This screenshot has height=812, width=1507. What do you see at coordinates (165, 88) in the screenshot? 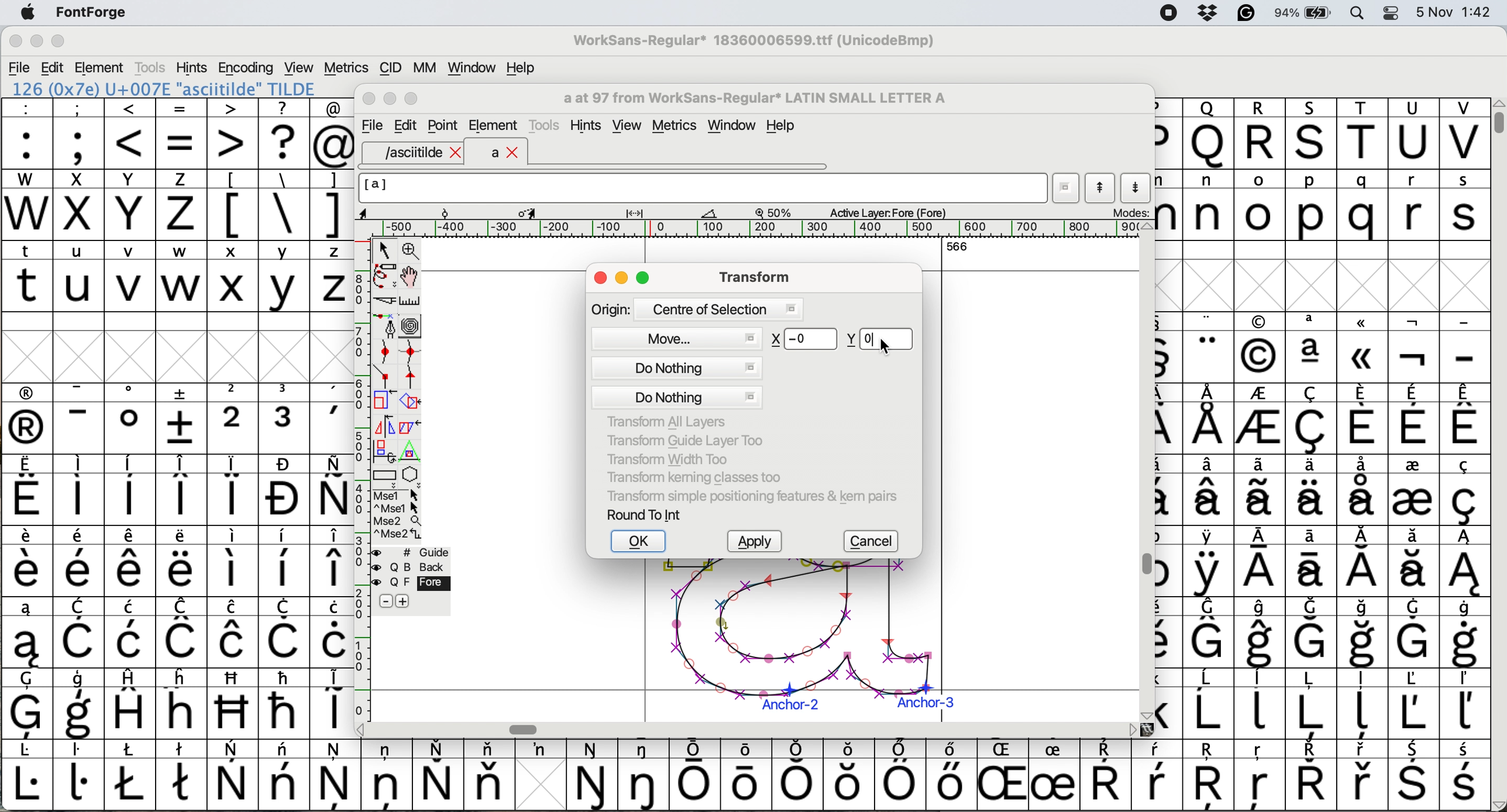
I see `126 (0x7e) U+007E "asciitilde" TILDE` at bounding box center [165, 88].